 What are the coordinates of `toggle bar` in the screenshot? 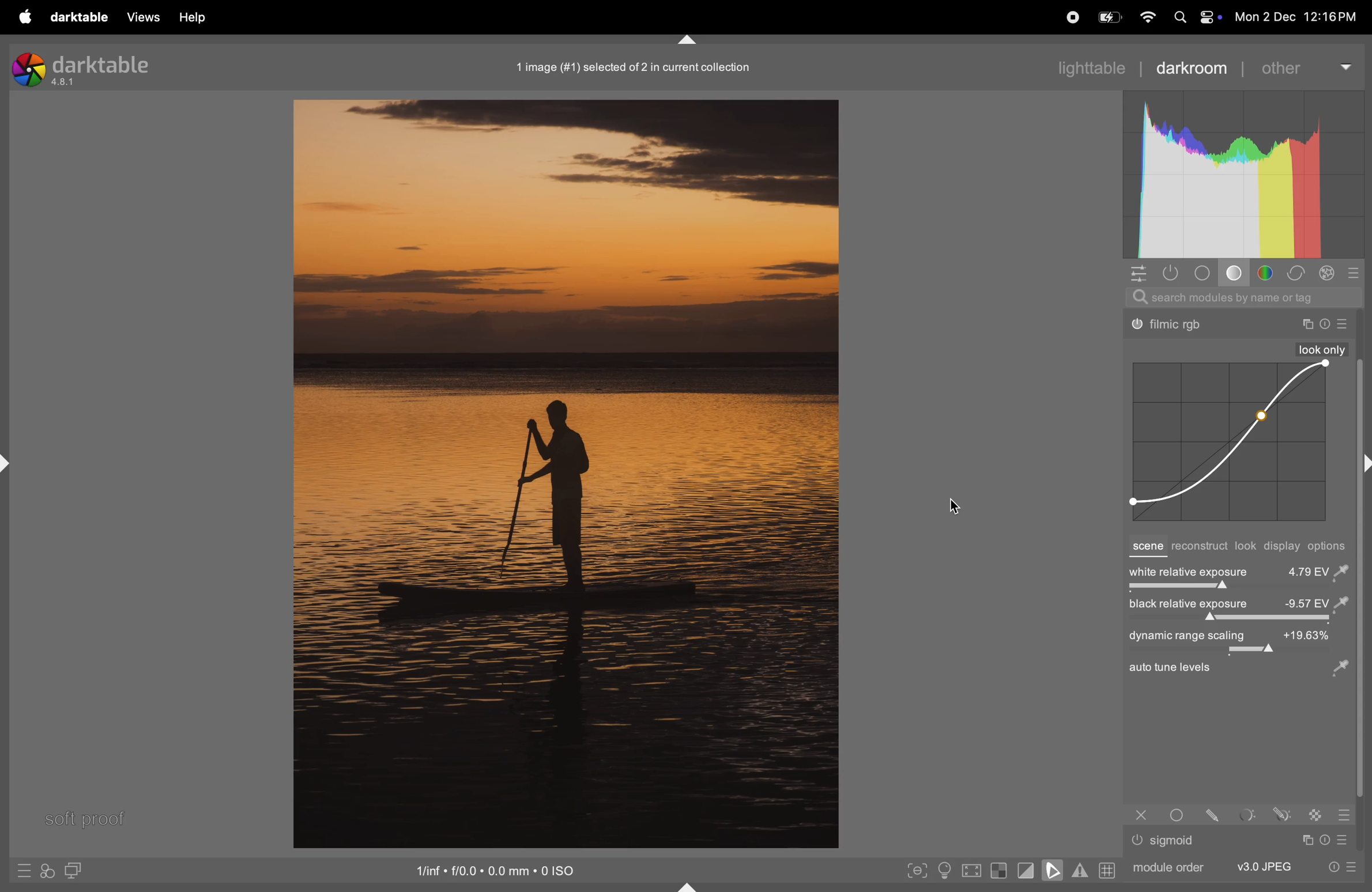 It's located at (1236, 589).